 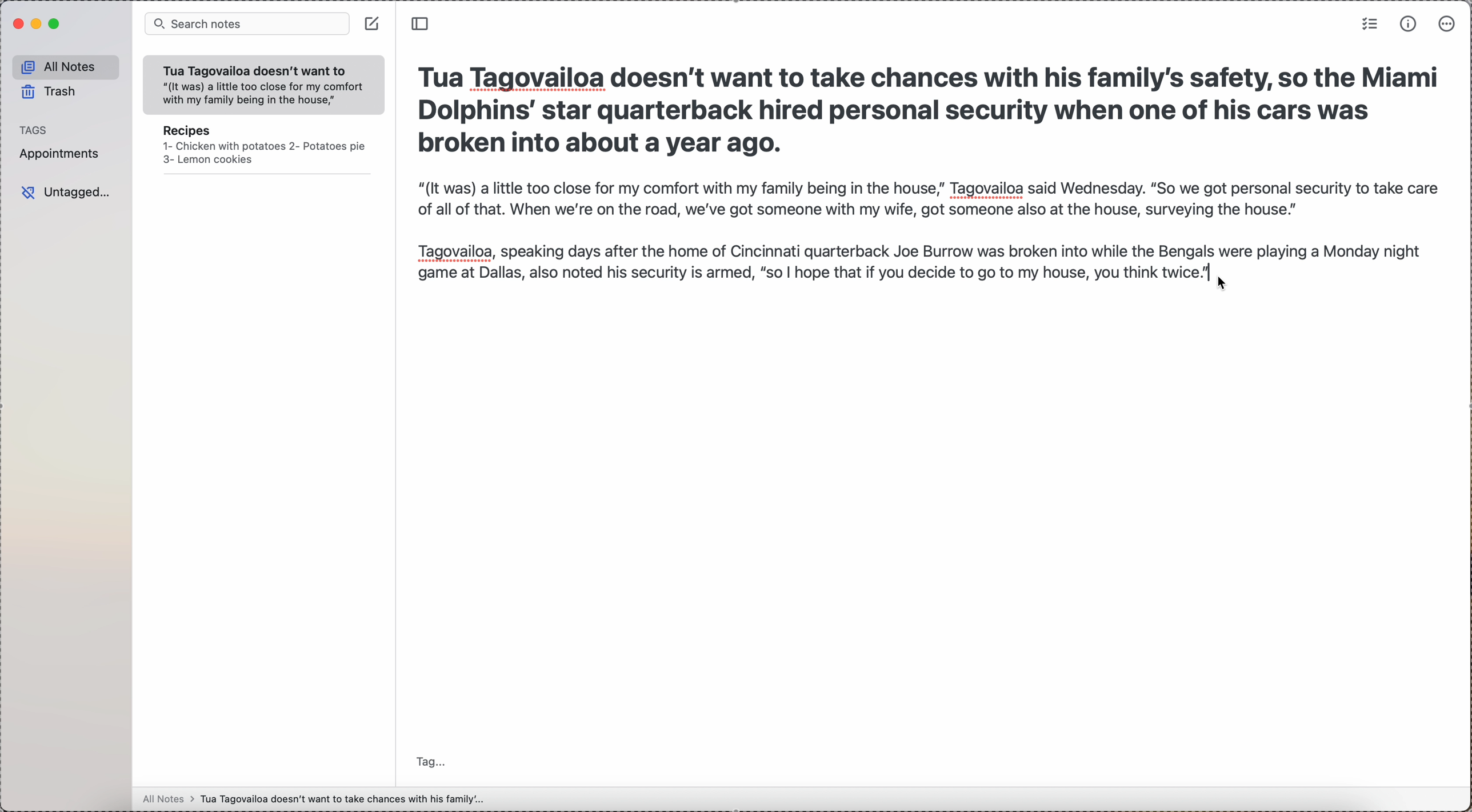 I want to click on search bar, so click(x=247, y=23).